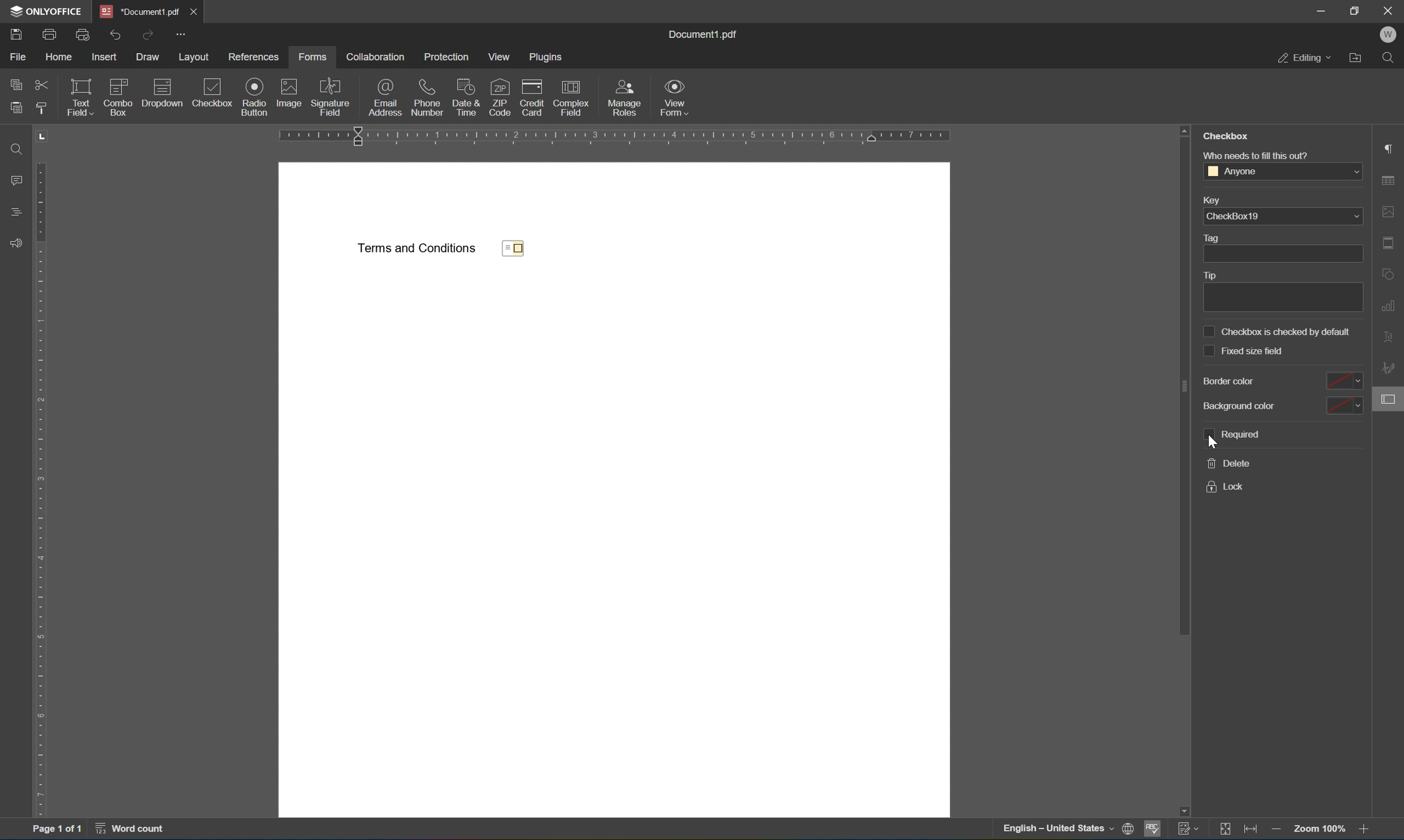 The image size is (1404, 840). What do you see at coordinates (119, 36) in the screenshot?
I see `undo` at bounding box center [119, 36].